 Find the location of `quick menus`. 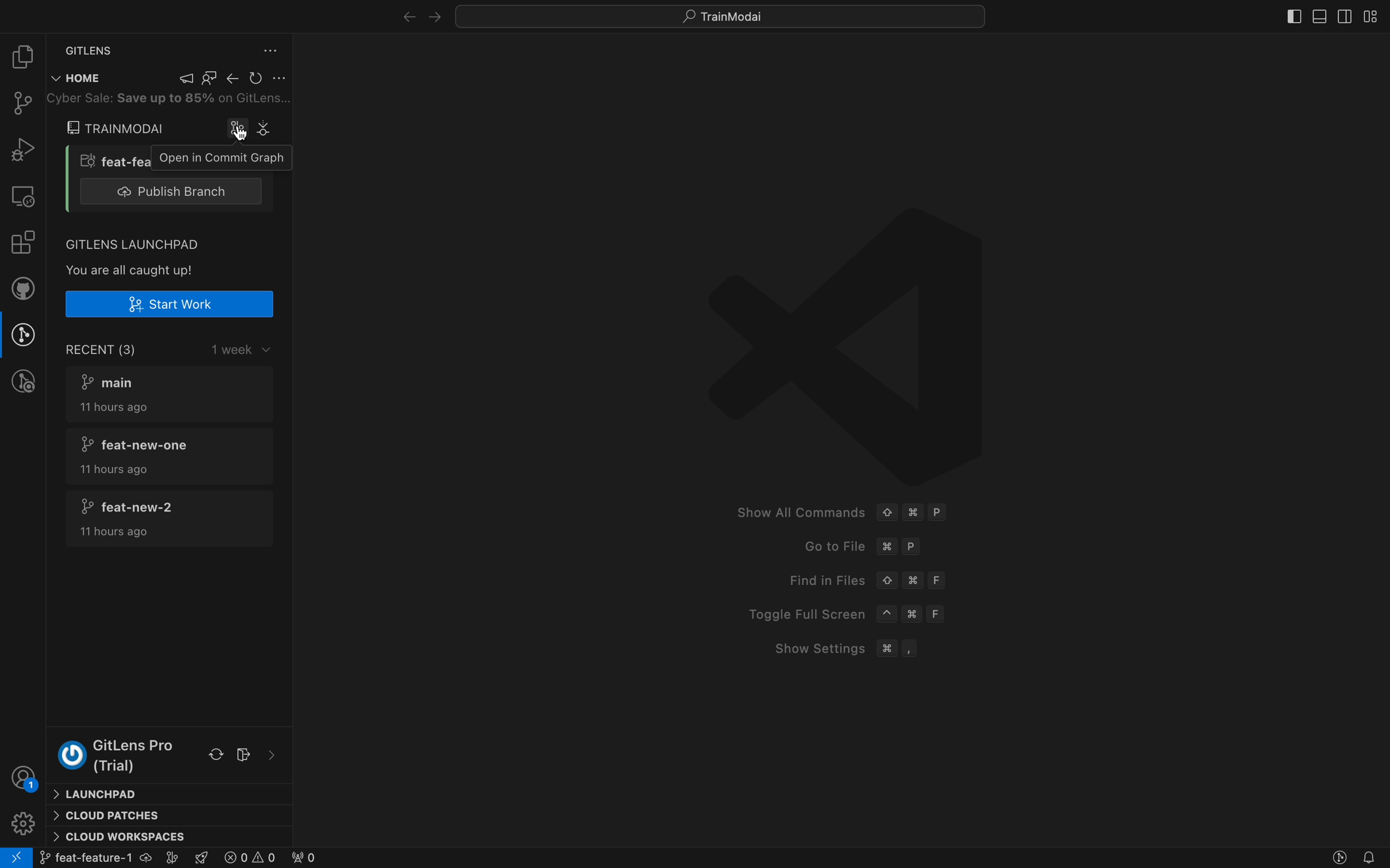

quick menus is located at coordinates (721, 14).